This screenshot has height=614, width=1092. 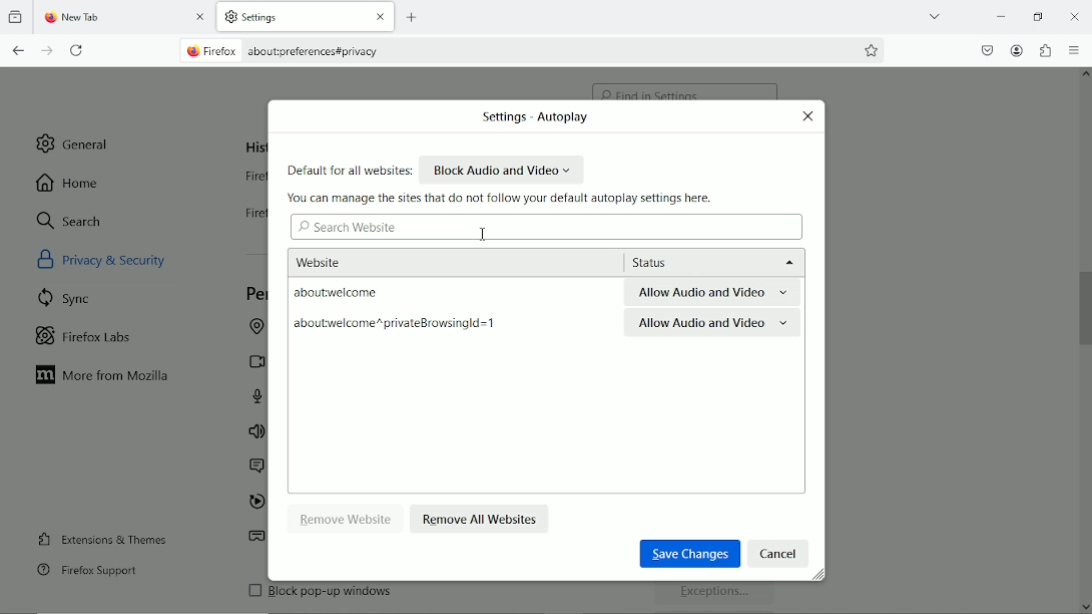 What do you see at coordinates (503, 198) in the screenshot?
I see `you can manage the sites that do not follow your default autoplay settings here.` at bounding box center [503, 198].